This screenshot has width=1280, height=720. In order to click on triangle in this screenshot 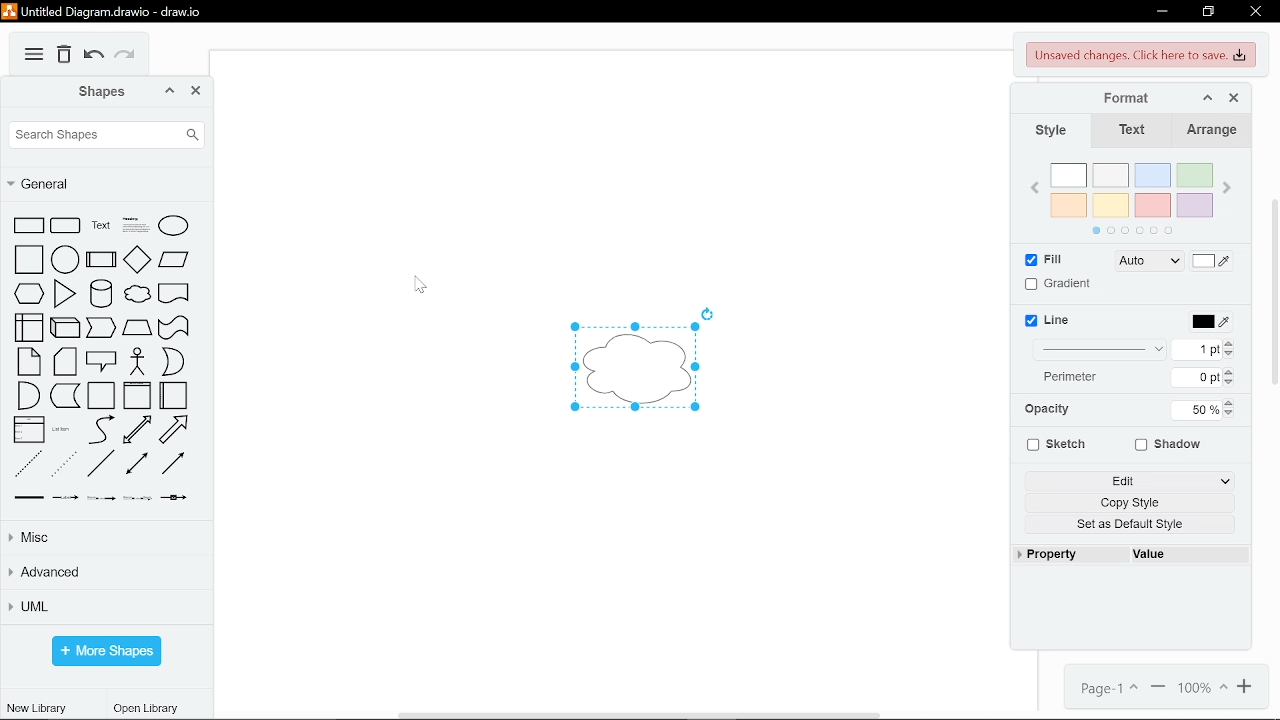, I will do `click(63, 293)`.